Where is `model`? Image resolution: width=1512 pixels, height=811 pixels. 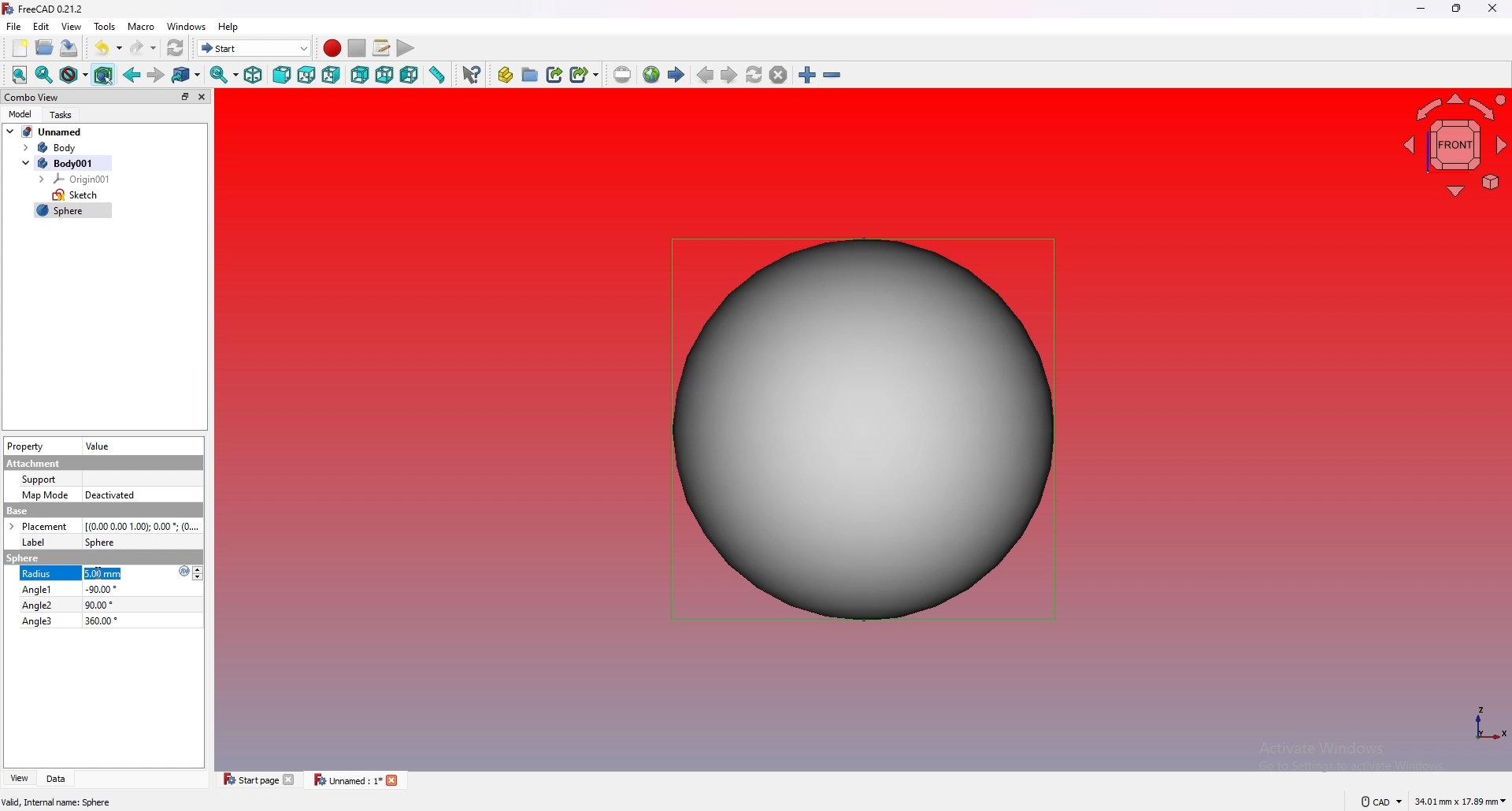 model is located at coordinates (19, 113).